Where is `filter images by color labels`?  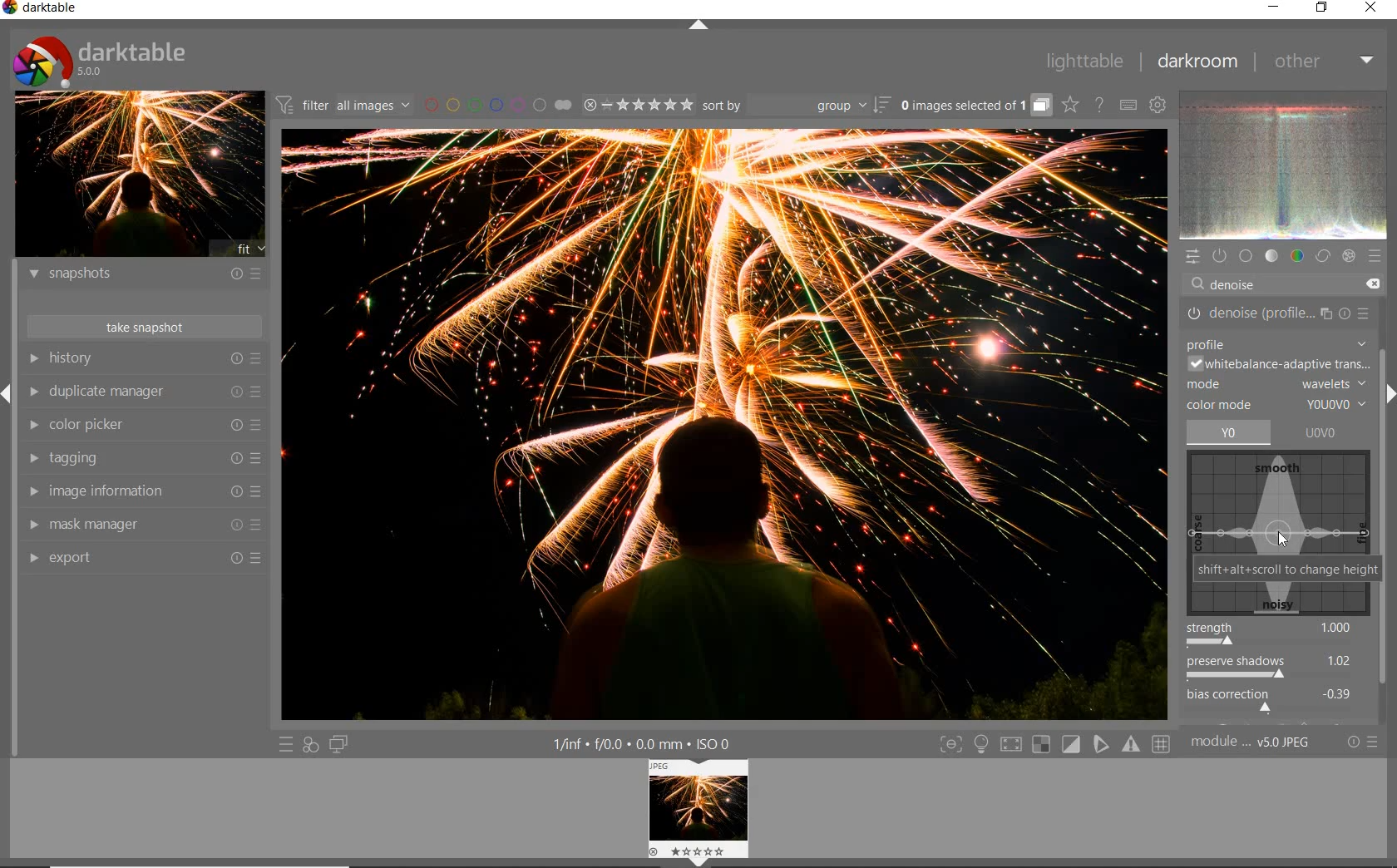
filter images by color labels is located at coordinates (496, 105).